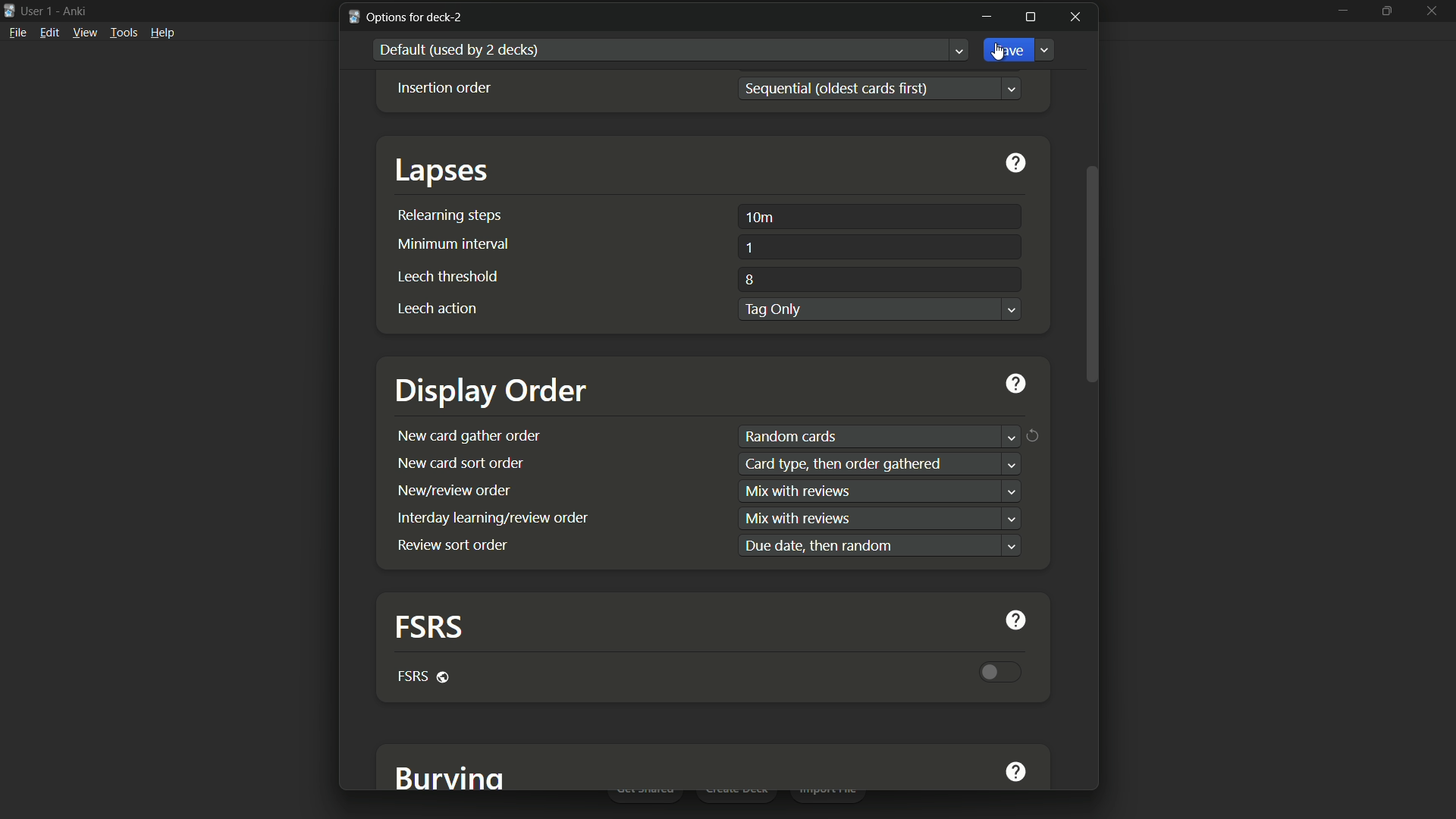  I want to click on new card sort order, so click(460, 463).